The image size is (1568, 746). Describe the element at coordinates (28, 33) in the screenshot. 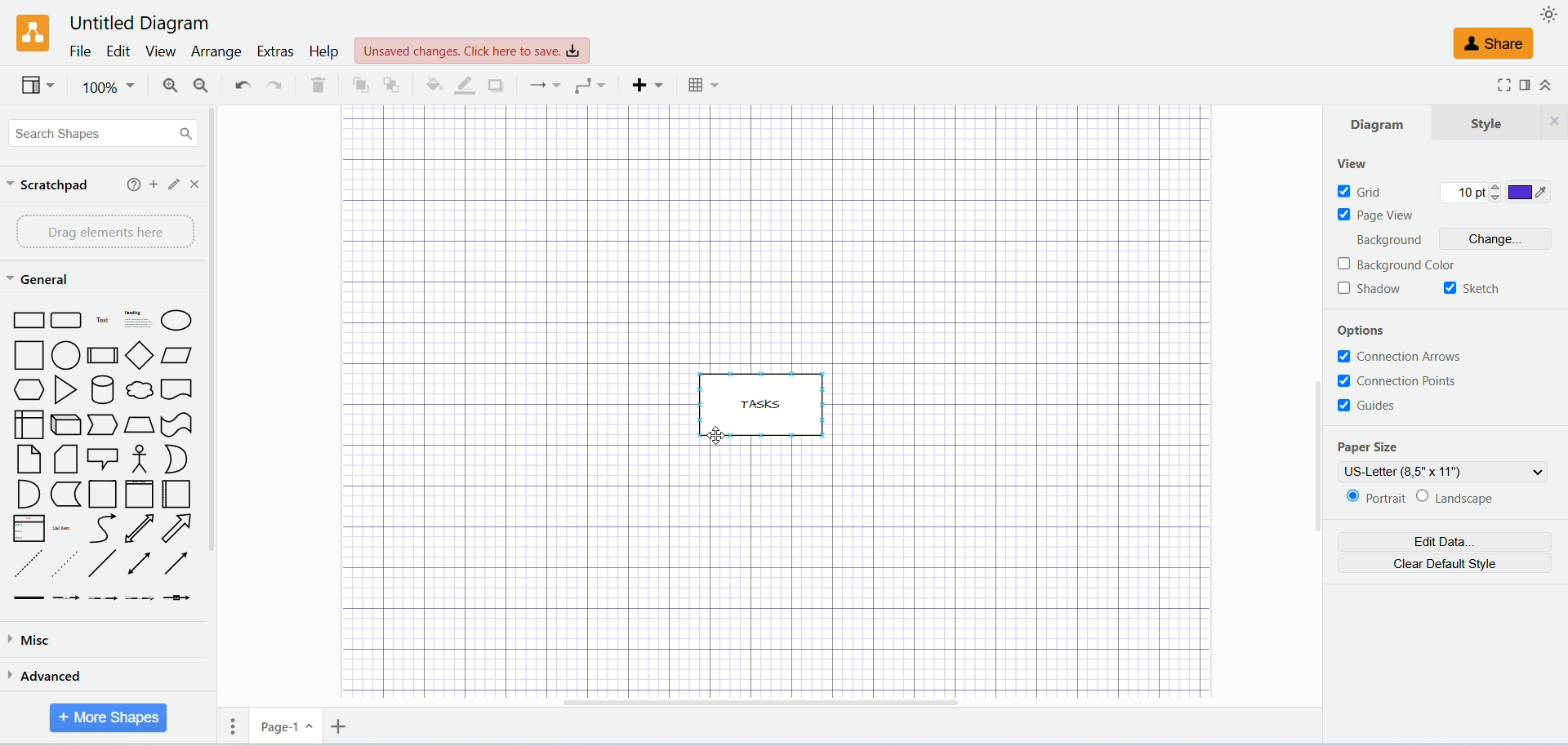

I see `logo` at that location.